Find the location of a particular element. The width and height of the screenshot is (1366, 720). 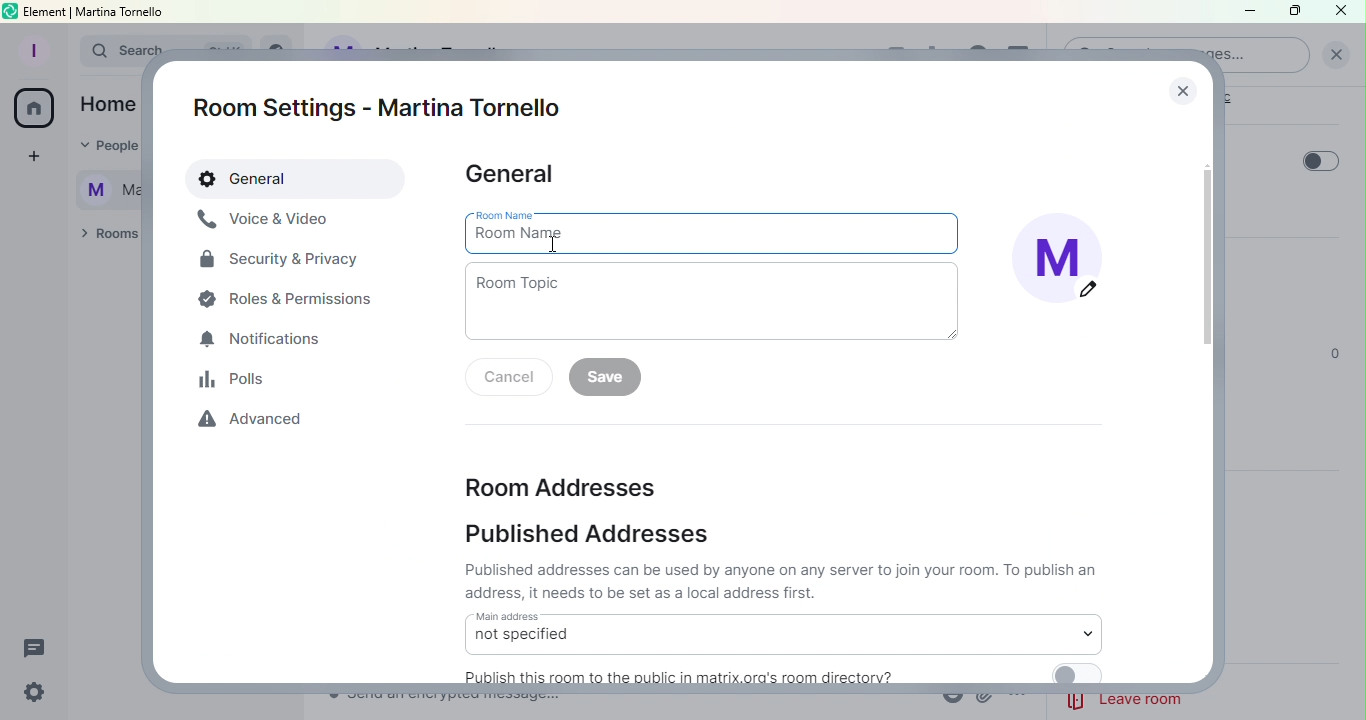

Room name is located at coordinates (715, 232).